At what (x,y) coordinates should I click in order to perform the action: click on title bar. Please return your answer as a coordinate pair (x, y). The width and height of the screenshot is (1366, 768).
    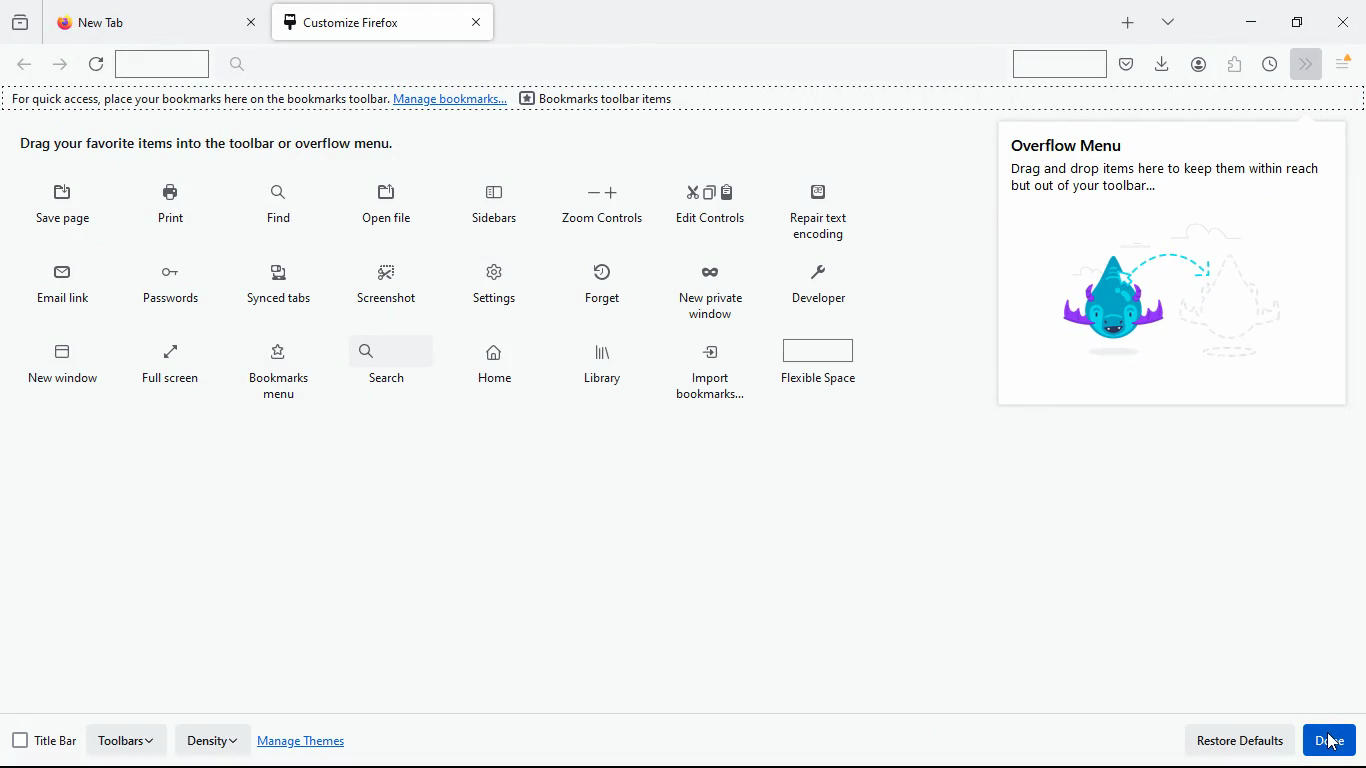
    Looking at the image, I should click on (44, 741).